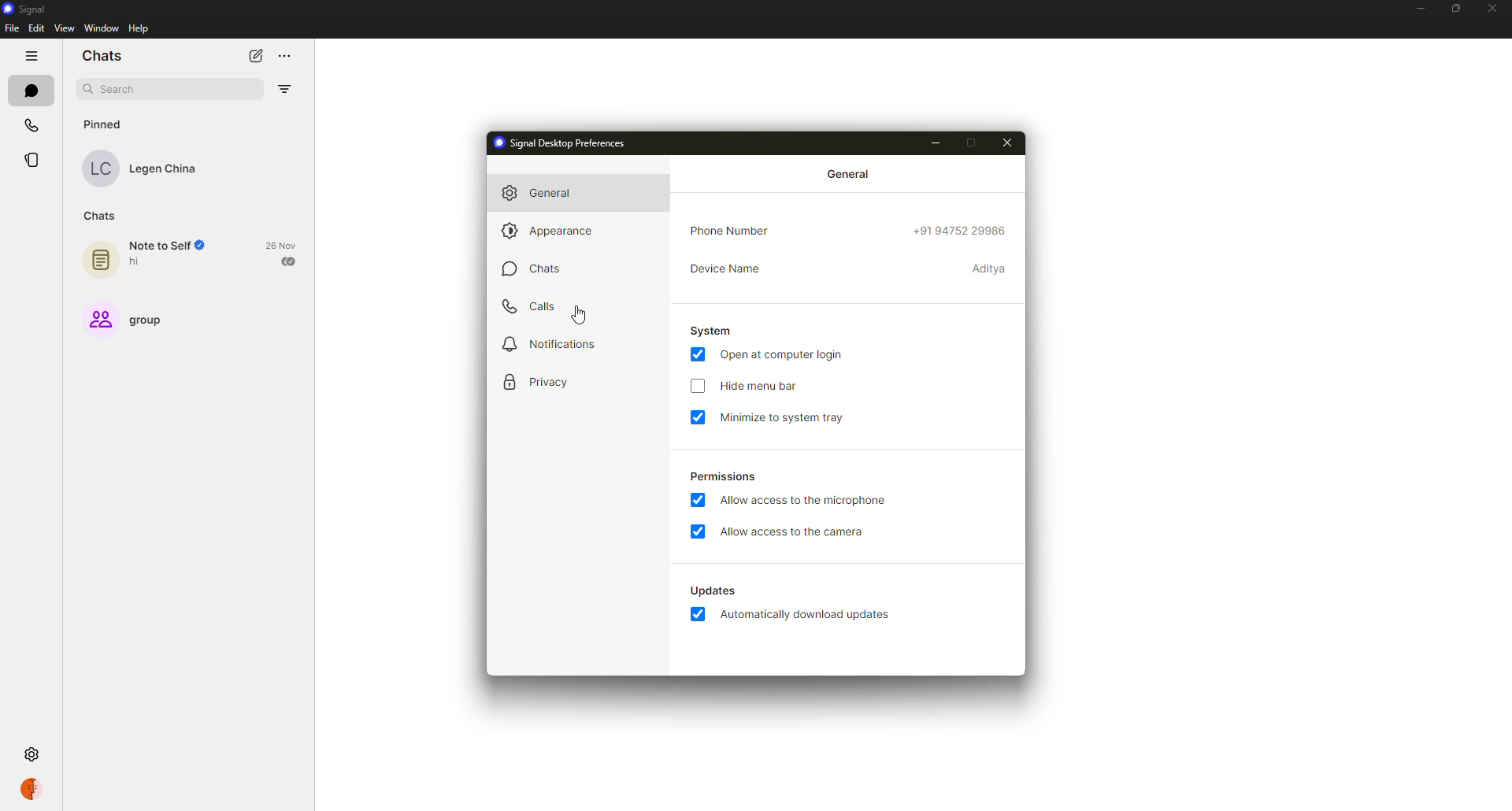 This screenshot has width=1512, height=811. I want to click on device name, so click(724, 266).